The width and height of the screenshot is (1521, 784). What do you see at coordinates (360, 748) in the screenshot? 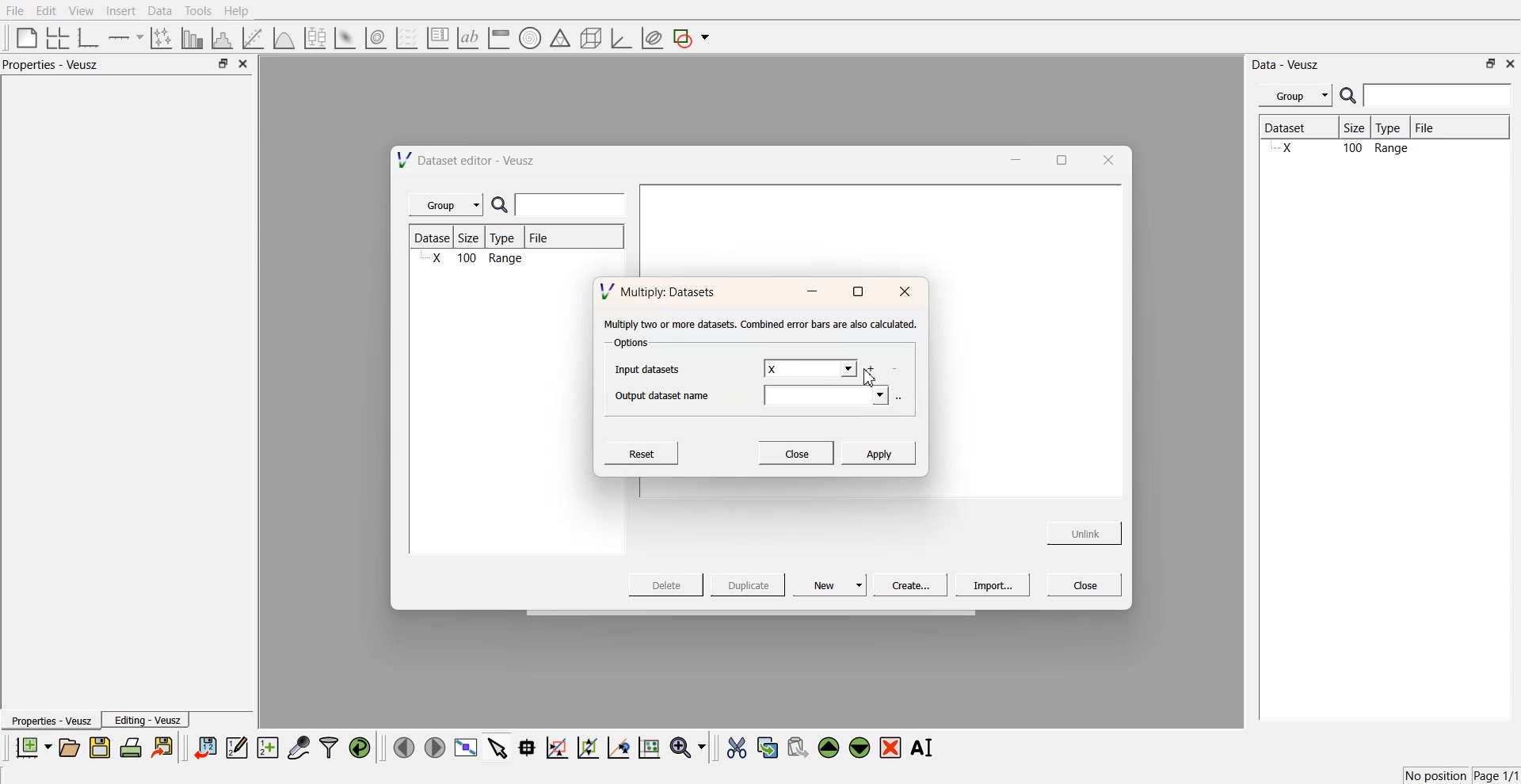
I see `reload the data points` at bounding box center [360, 748].